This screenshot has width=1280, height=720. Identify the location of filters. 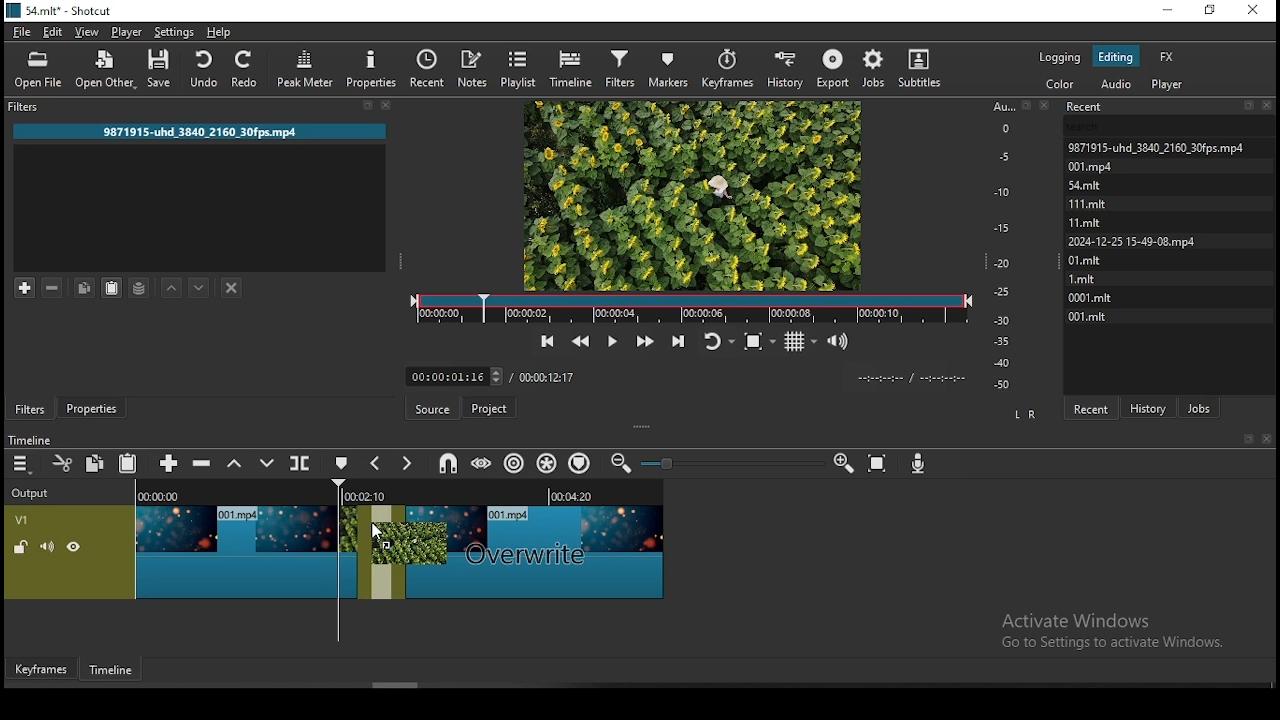
(30, 408).